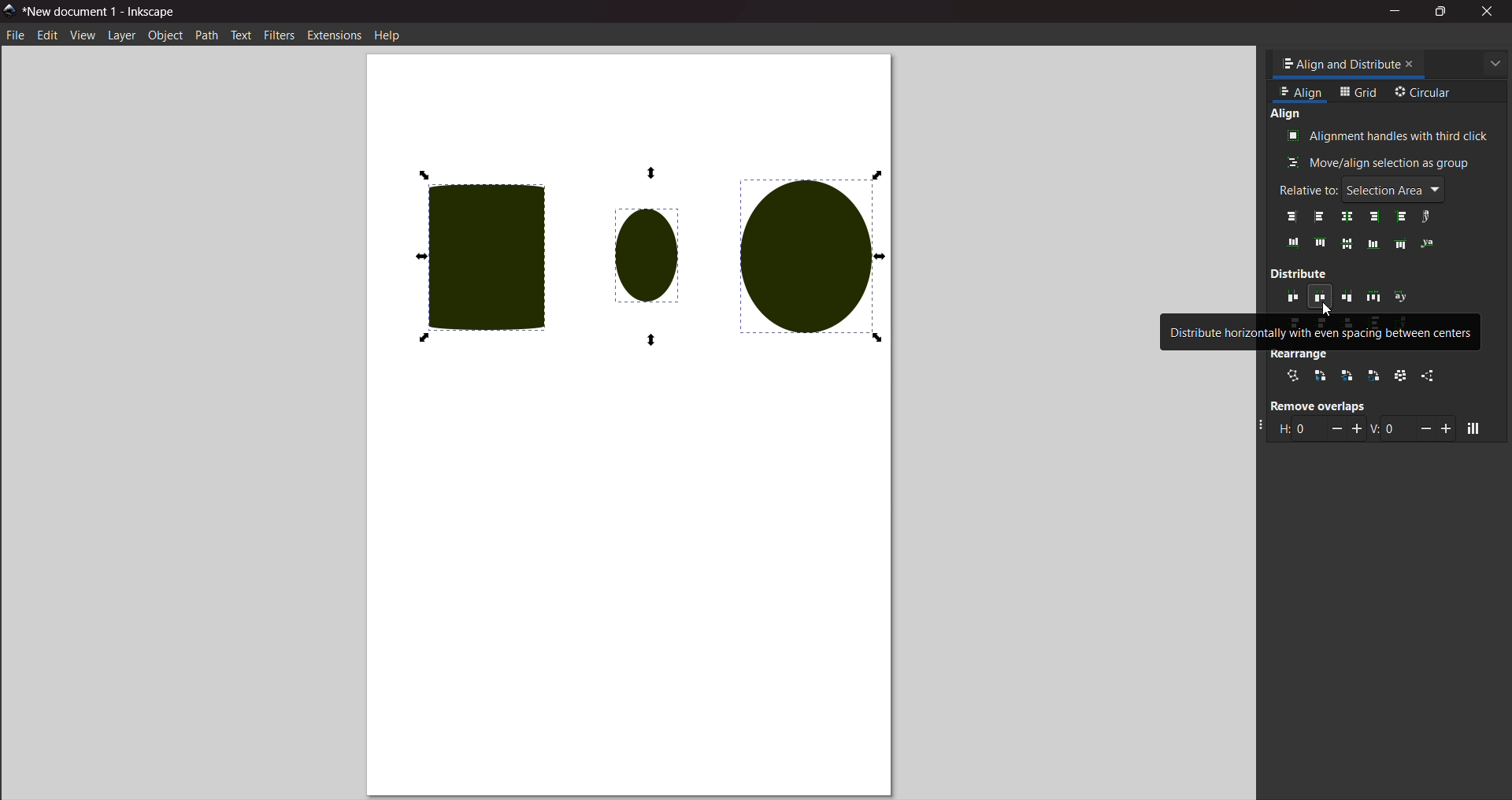 The image size is (1512, 800). I want to click on grid, so click(1358, 92).